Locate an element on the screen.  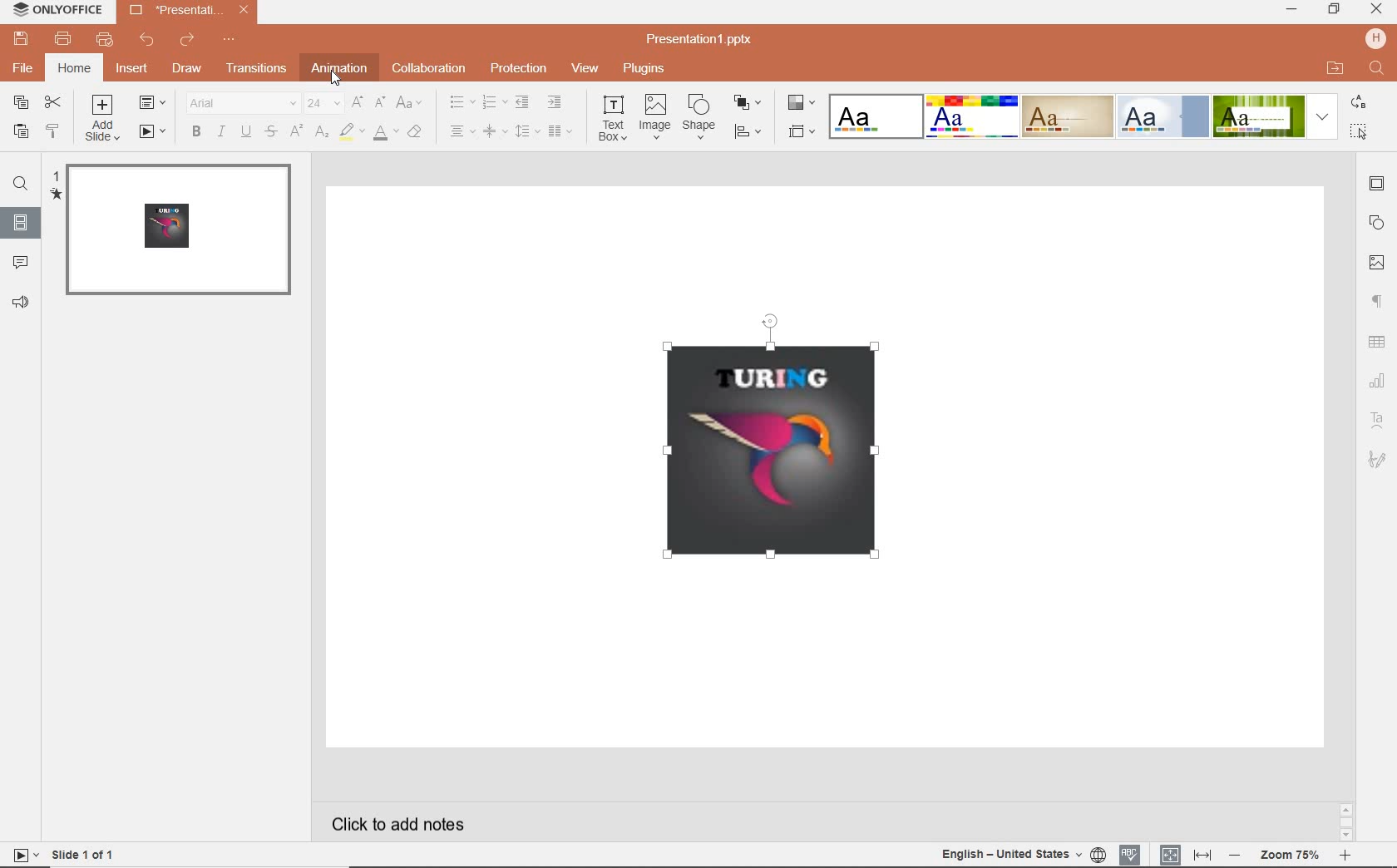
slide 1 of 1 is located at coordinates (73, 856).